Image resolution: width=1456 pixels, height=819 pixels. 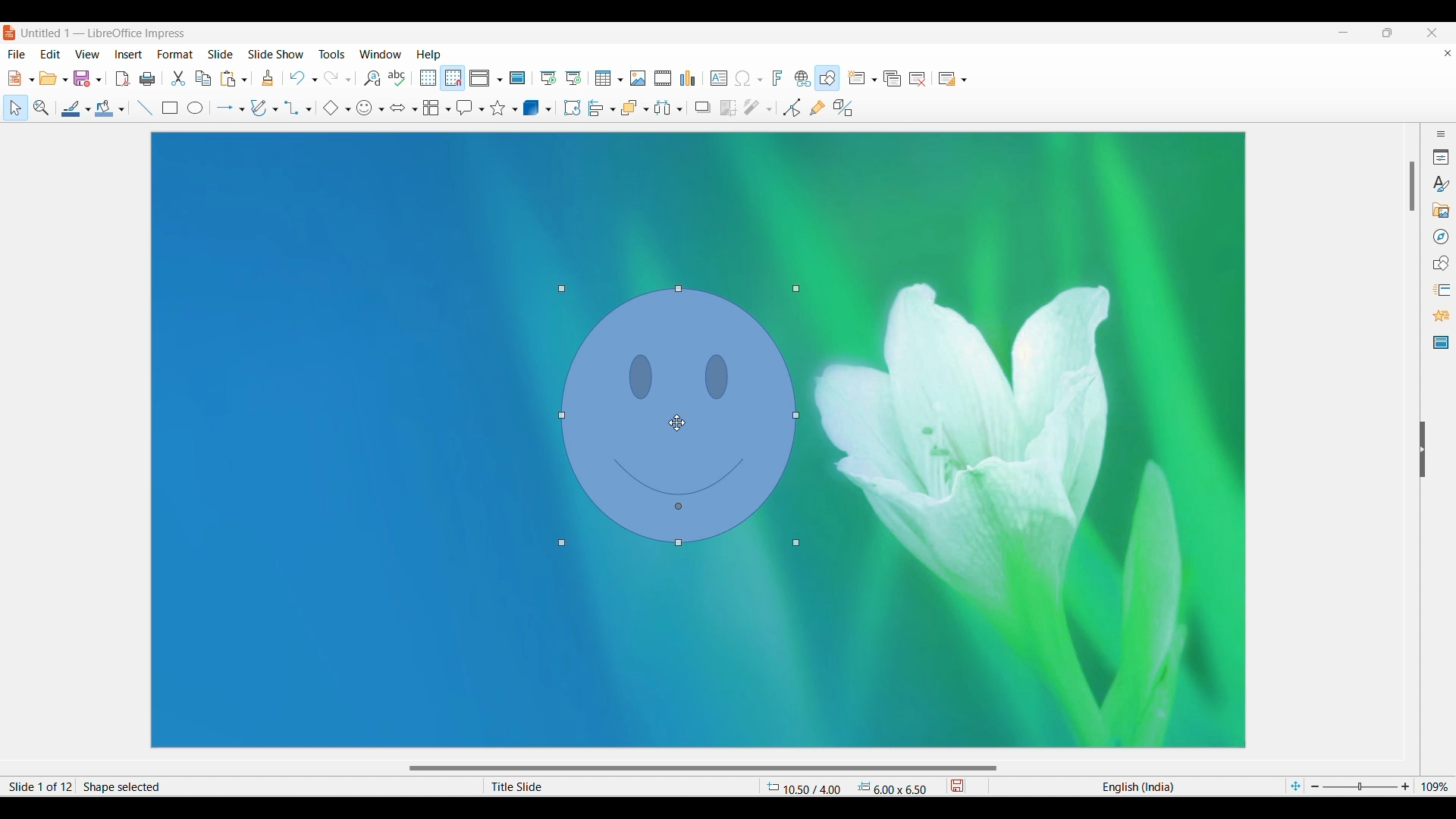 What do you see at coordinates (1137, 786) in the screenshot?
I see `English (India)` at bounding box center [1137, 786].